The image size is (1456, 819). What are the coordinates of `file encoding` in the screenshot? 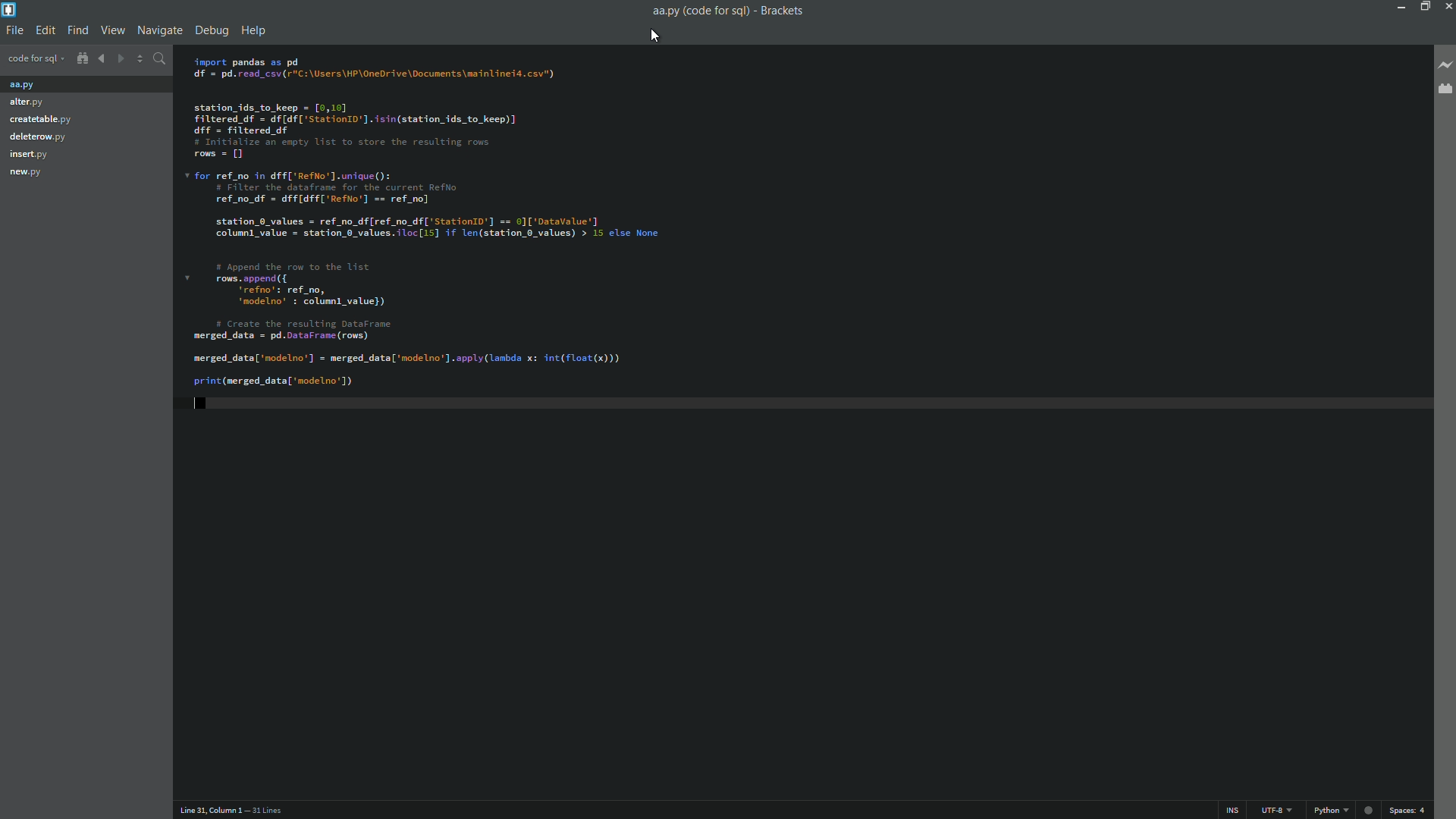 It's located at (1277, 810).